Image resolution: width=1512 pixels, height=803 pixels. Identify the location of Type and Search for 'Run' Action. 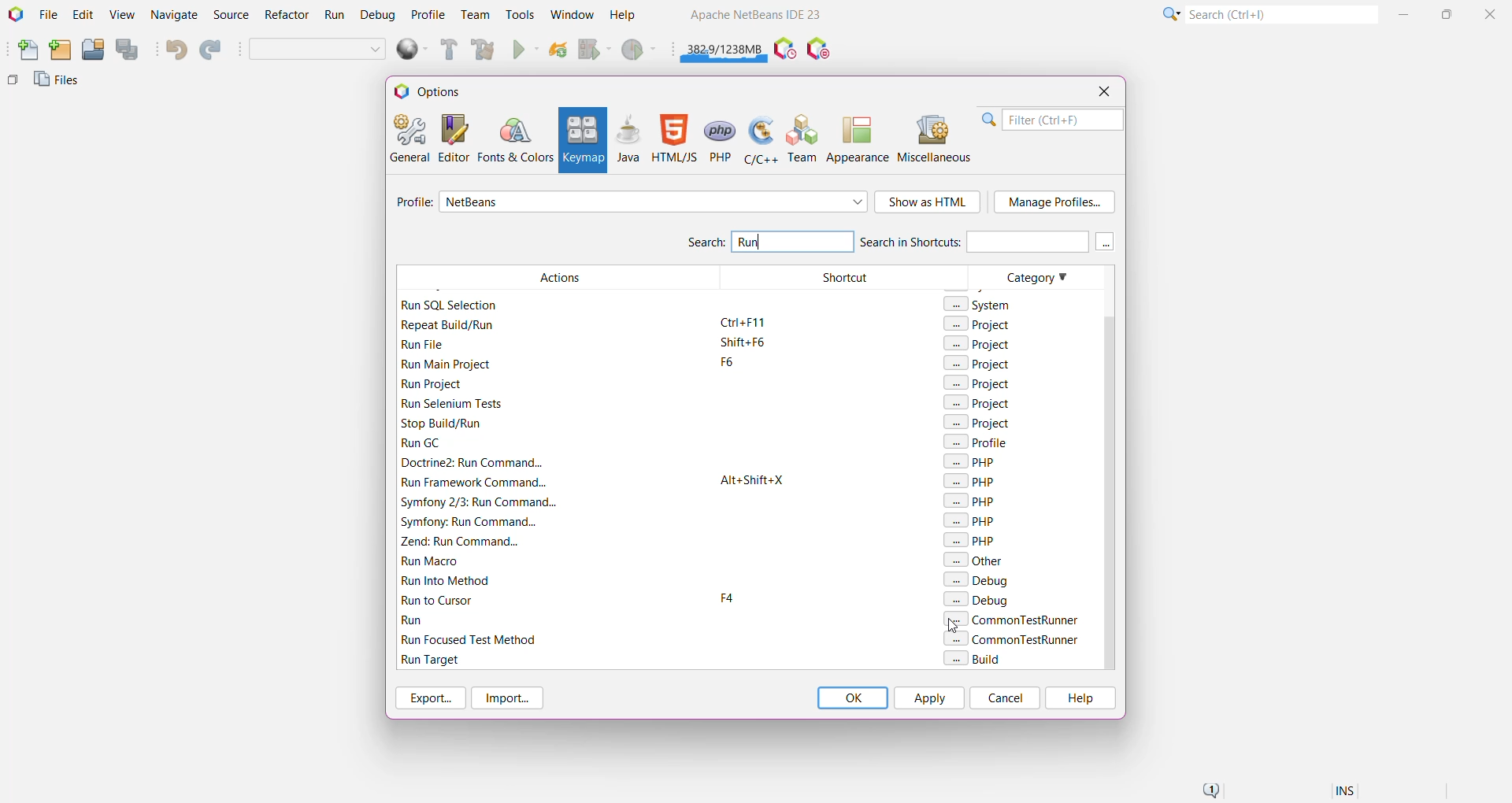
(793, 241).